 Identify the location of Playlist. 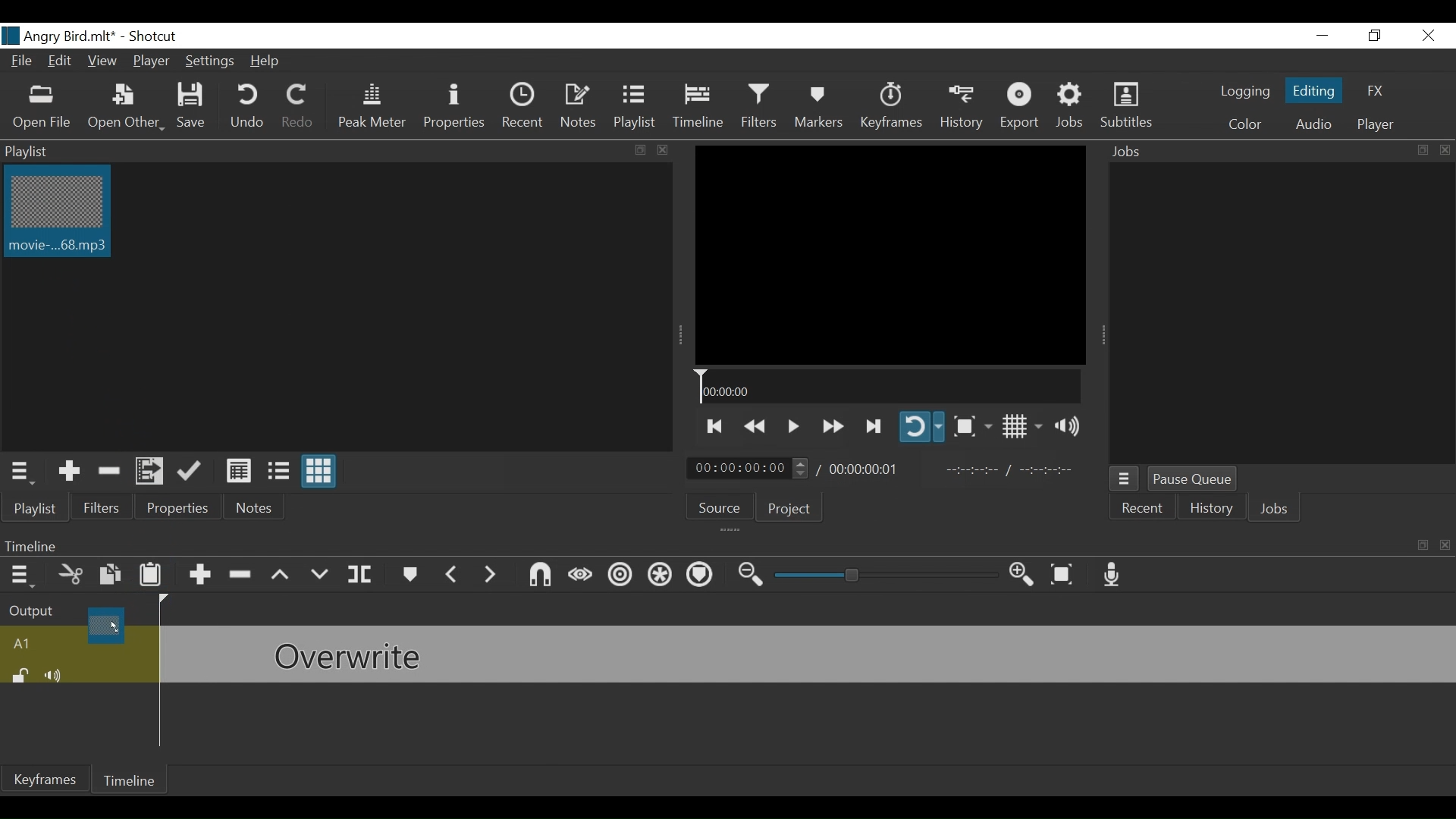
(634, 106).